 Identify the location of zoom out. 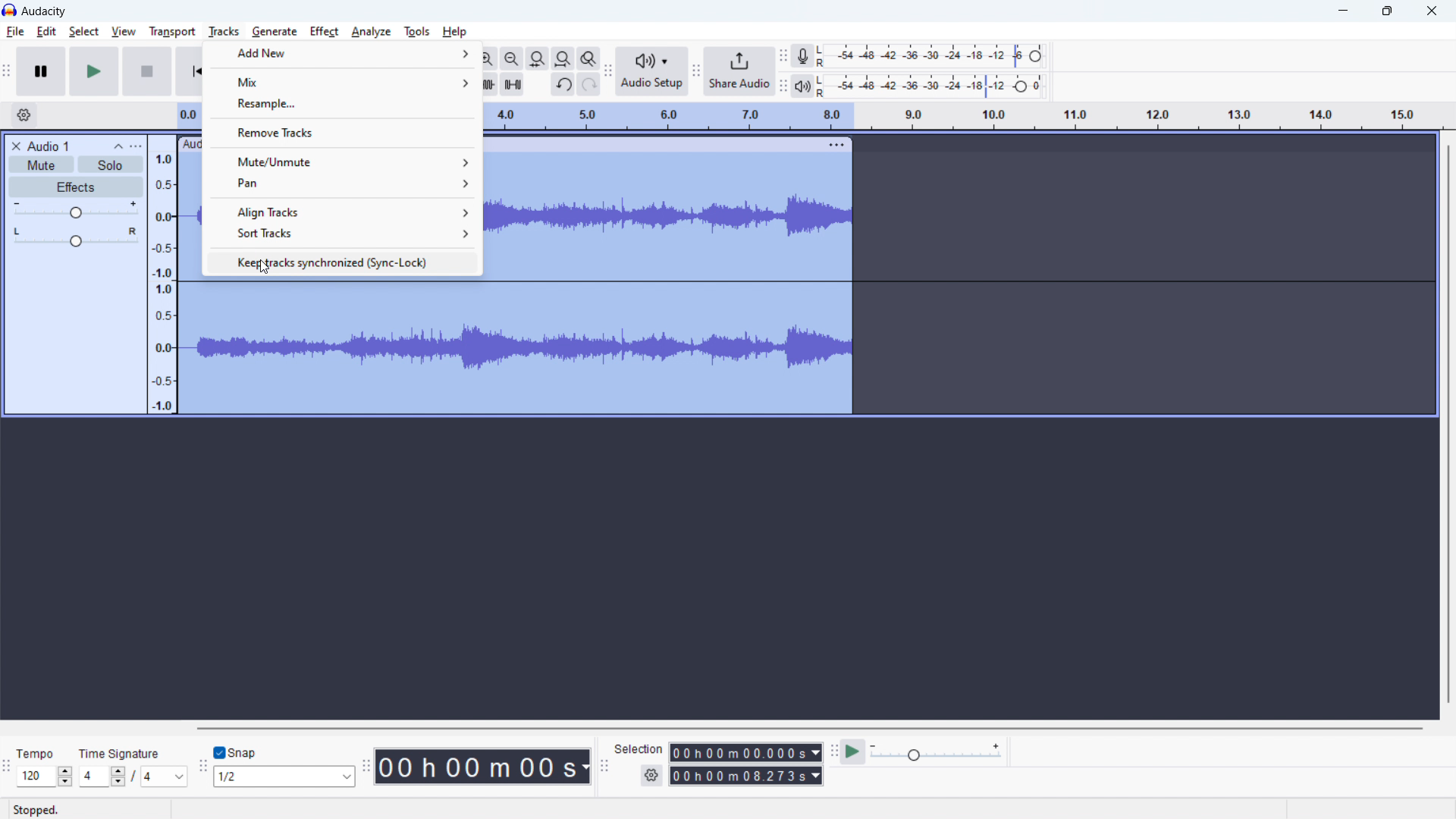
(510, 58).